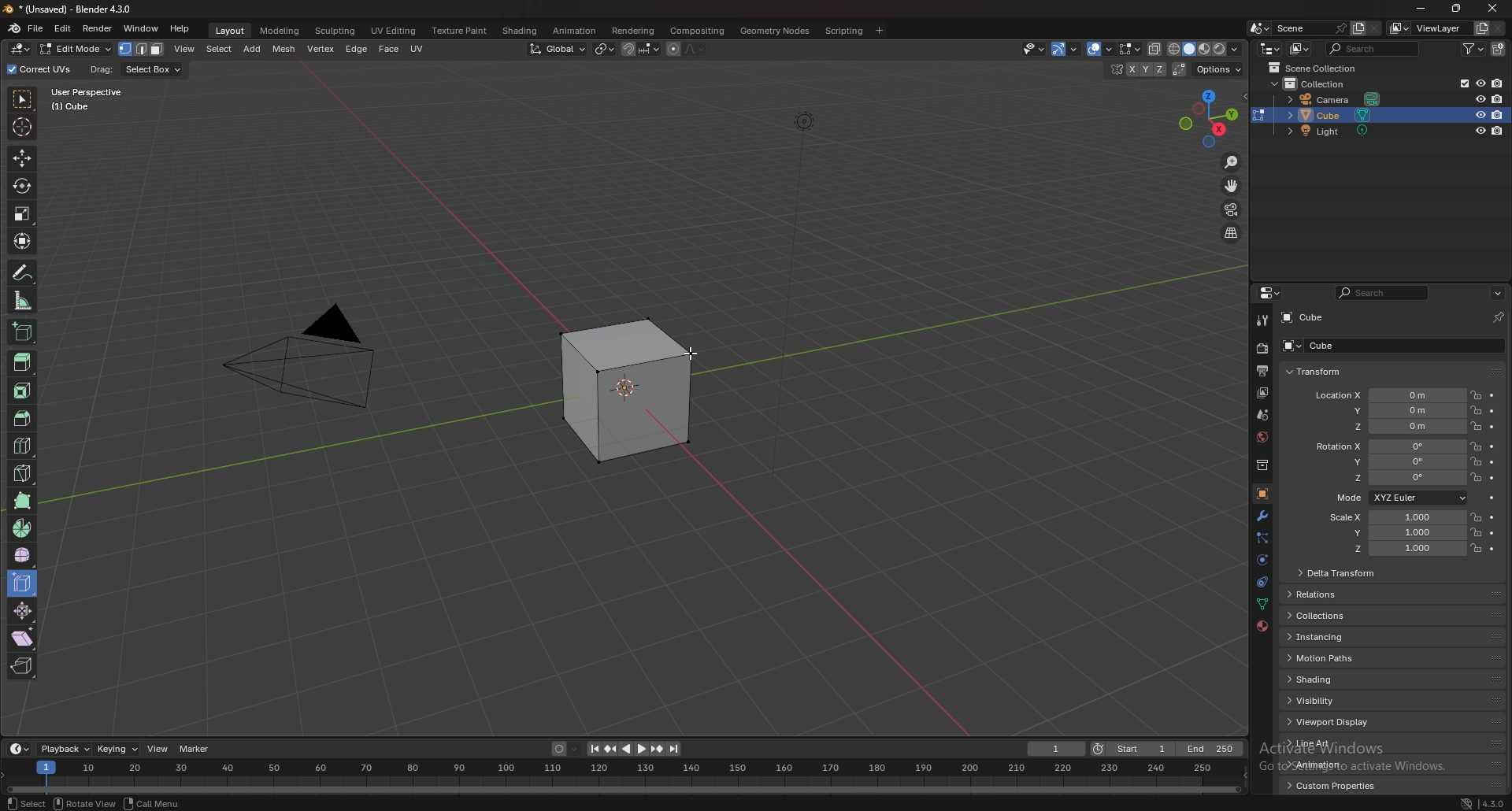 This screenshot has height=811, width=1512. What do you see at coordinates (1395, 479) in the screenshot?
I see `rotation z` at bounding box center [1395, 479].